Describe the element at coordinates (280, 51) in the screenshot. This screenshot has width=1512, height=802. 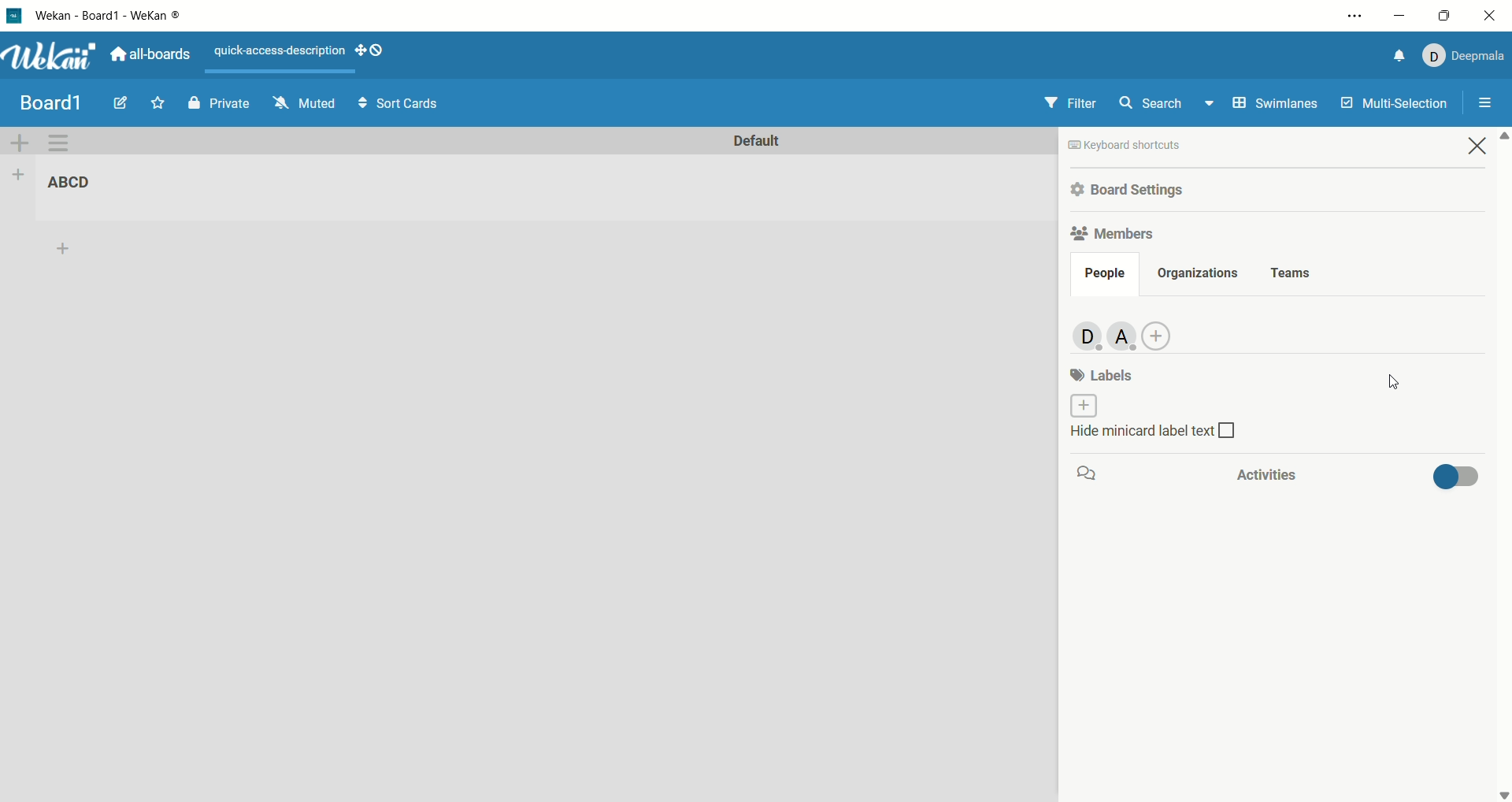
I see `text` at that location.